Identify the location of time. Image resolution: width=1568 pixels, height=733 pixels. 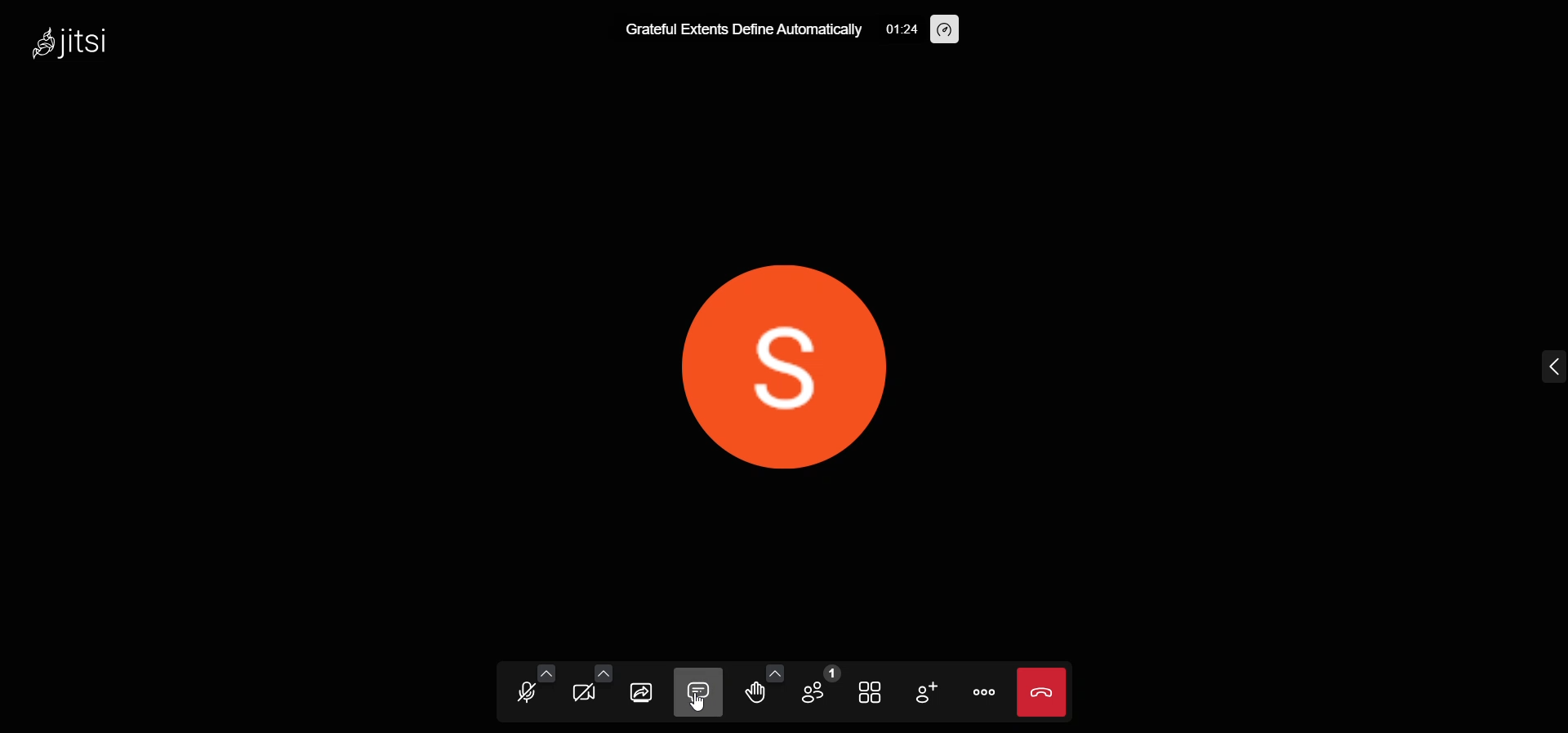
(902, 29).